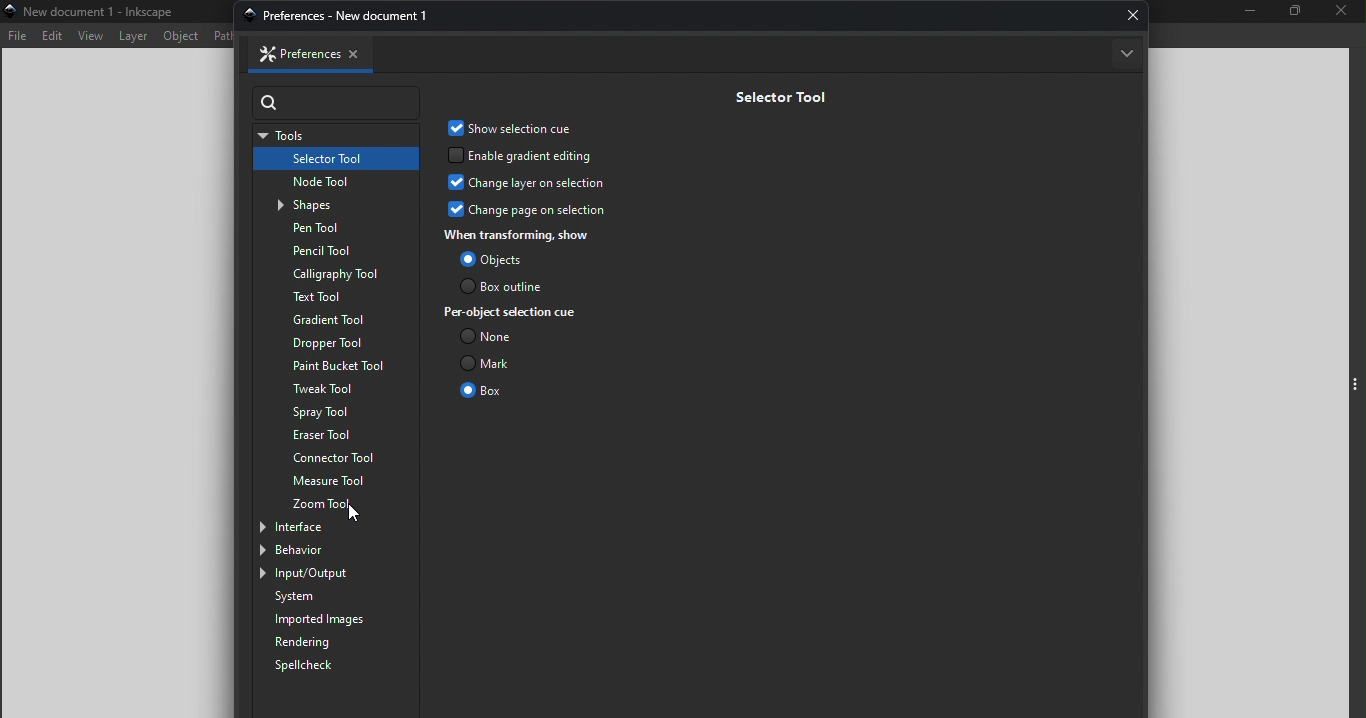 Image resolution: width=1366 pixels, height=718 pixels. What do you see at coordinates (333, 134) in the screenshot?
I see `Tools` at bounding box center [333, 134].